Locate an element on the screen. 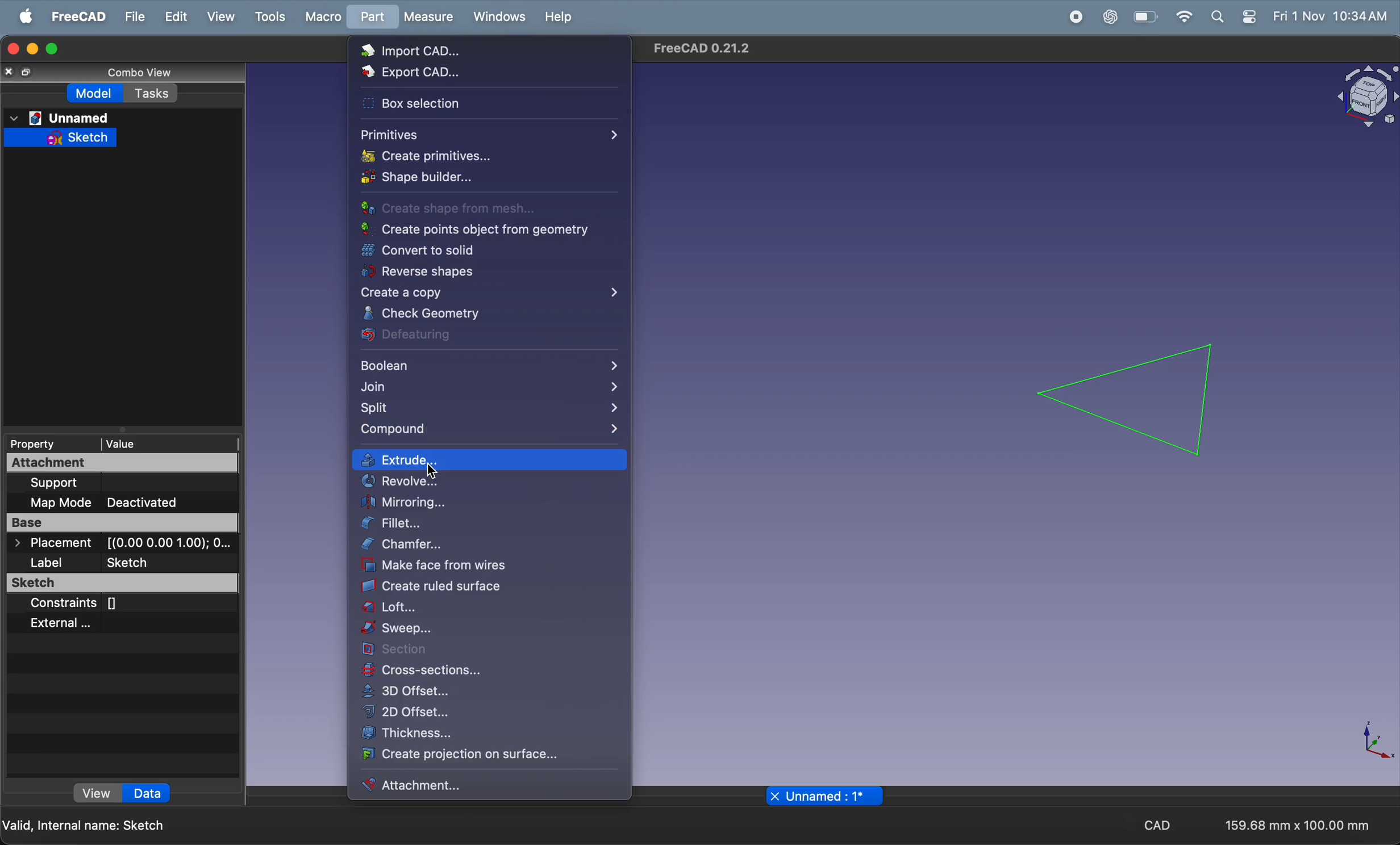 This screenshot has height=845, width=1400. map mode deactivated is located at coordinates (127, 501).